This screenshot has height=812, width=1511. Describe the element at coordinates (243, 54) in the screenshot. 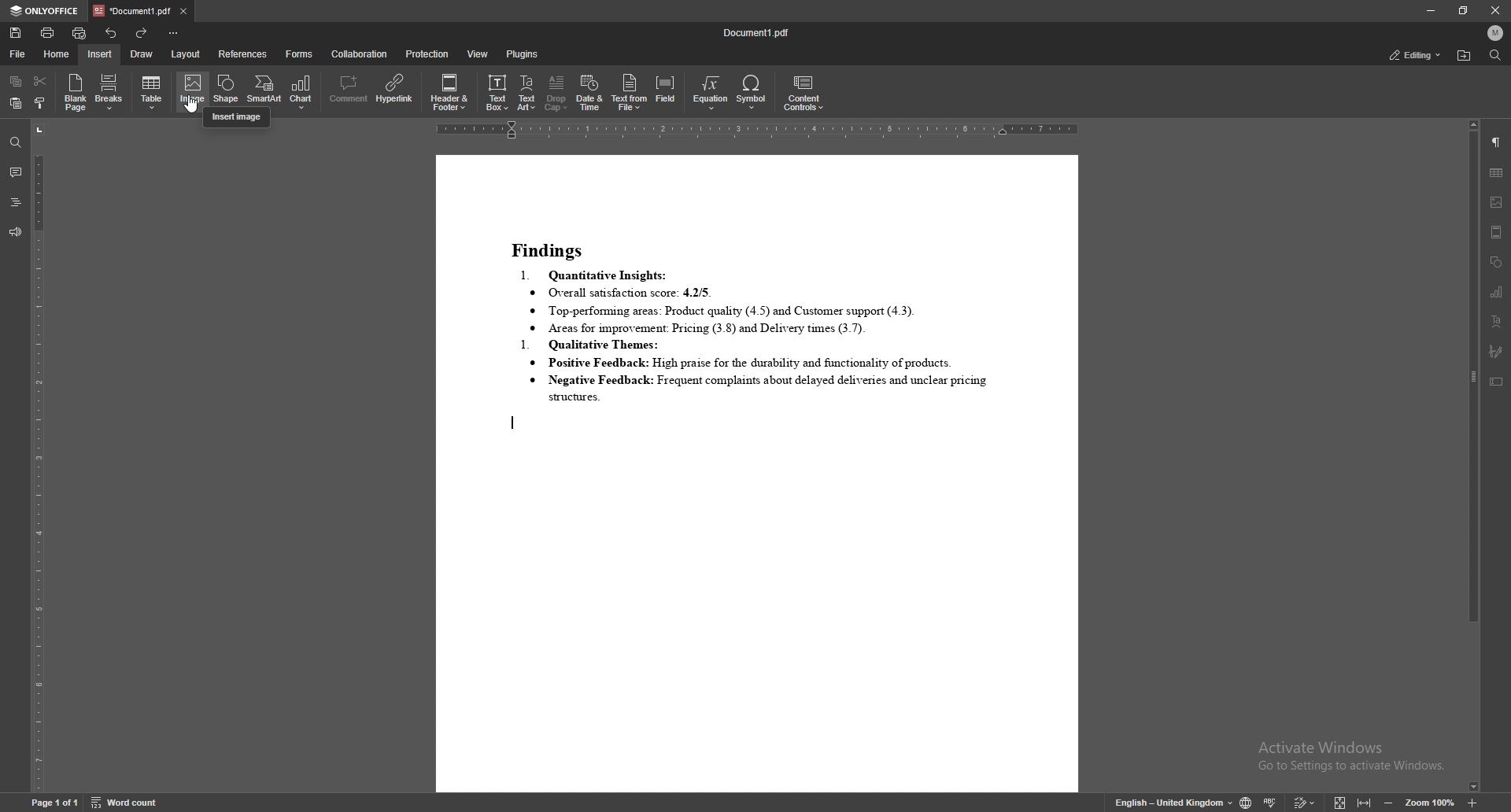

I see `references` at that location.